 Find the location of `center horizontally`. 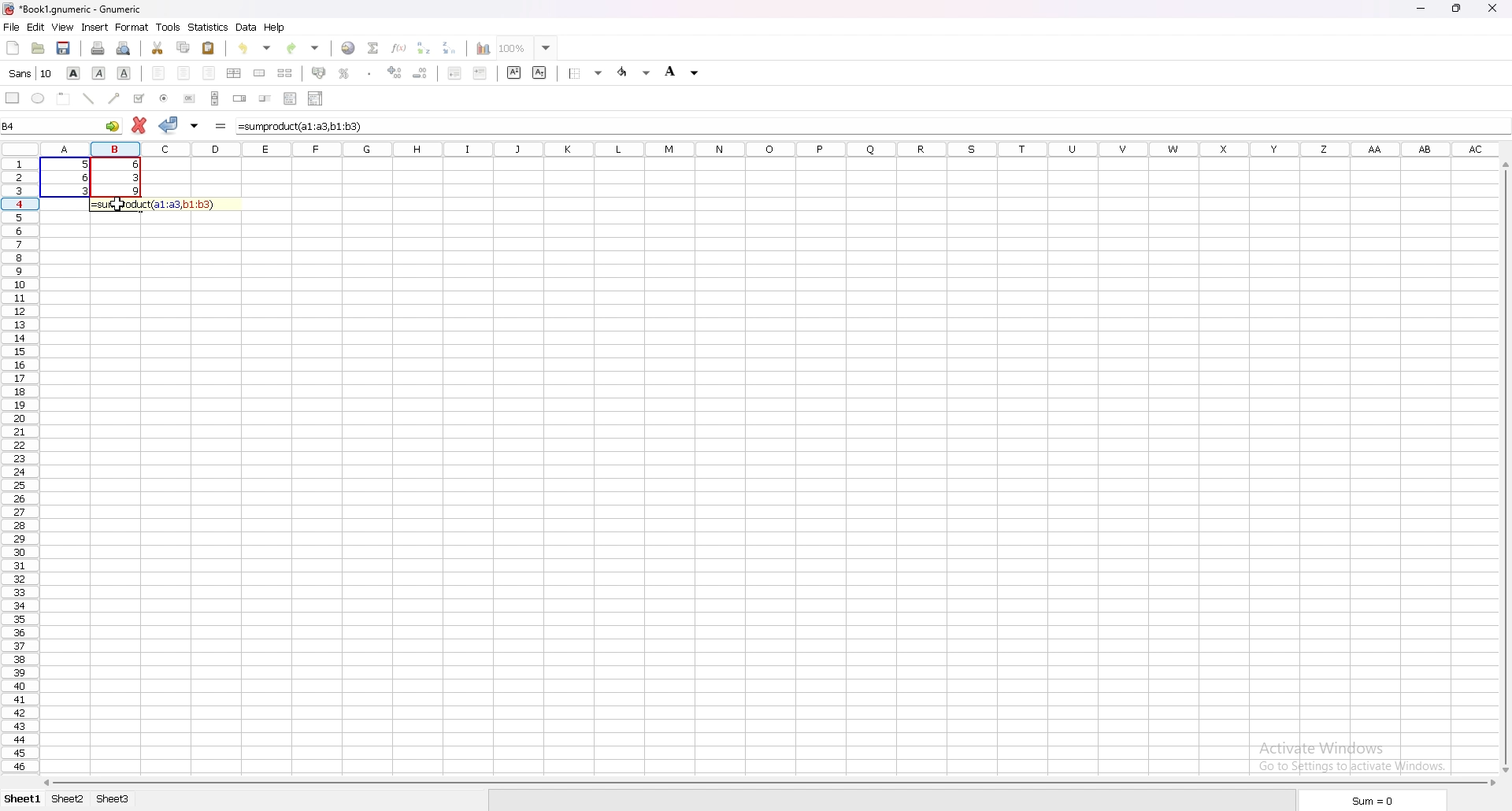

center horizontally is located at coordinates (233, 72).